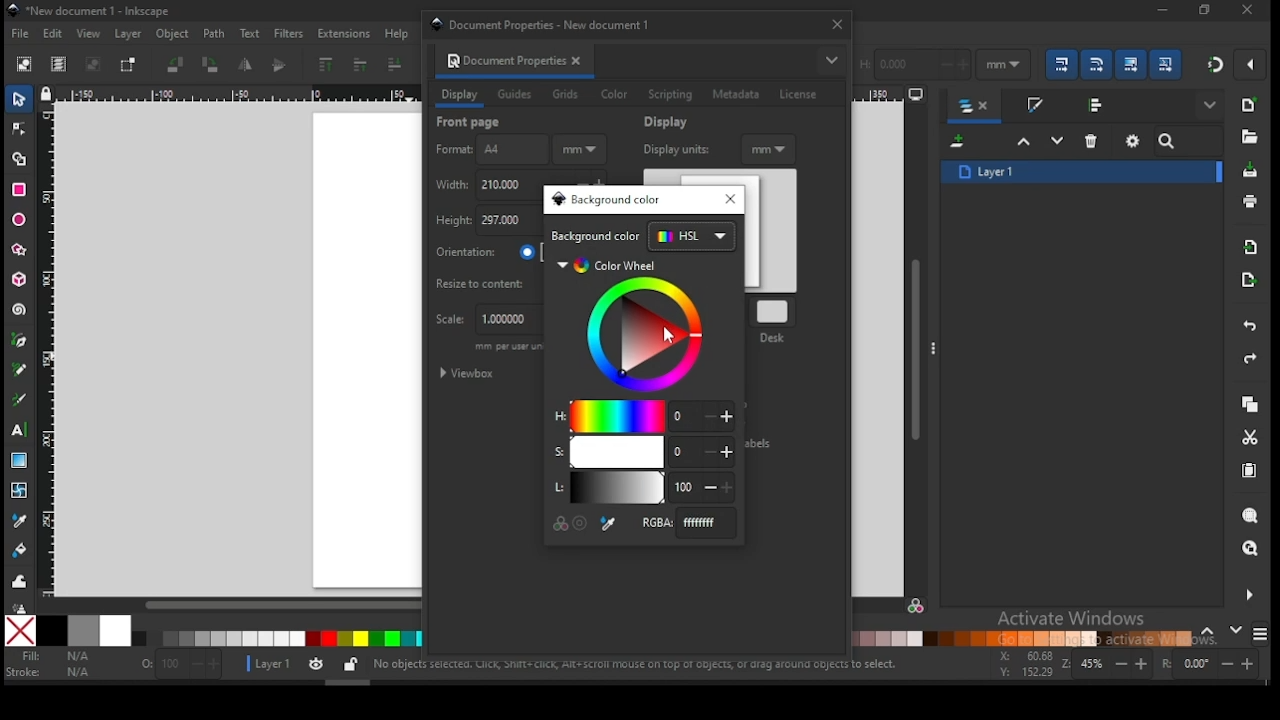 The image size is (1280, 720). What do you see at coordinates (21, 98) in the screenshot?
I see `select` at bounding box center [21, 98].